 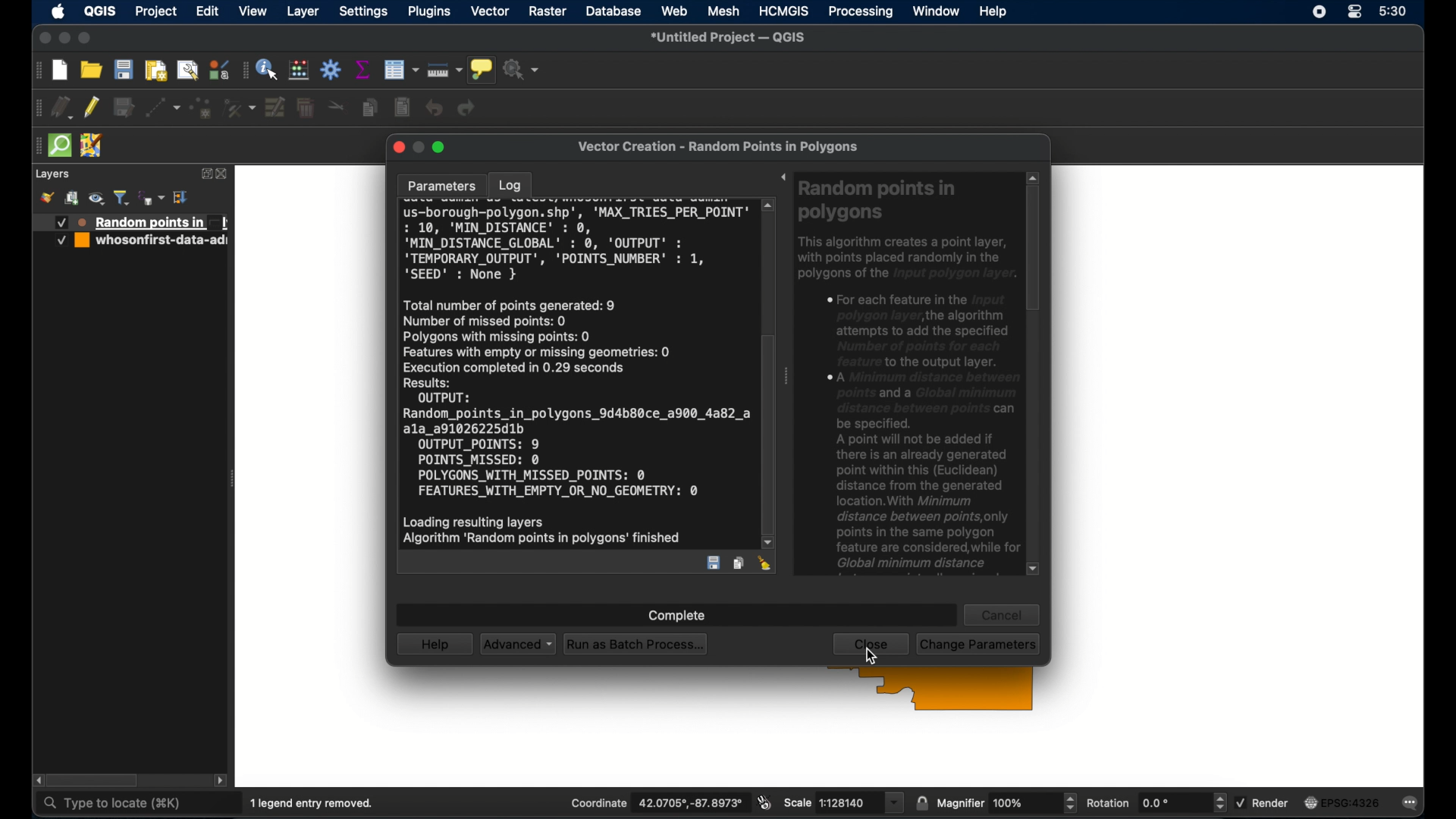 What do you see at coordinates (510, 184) in the screenshot?
I see `log tab` at bounding box center [510, 184].